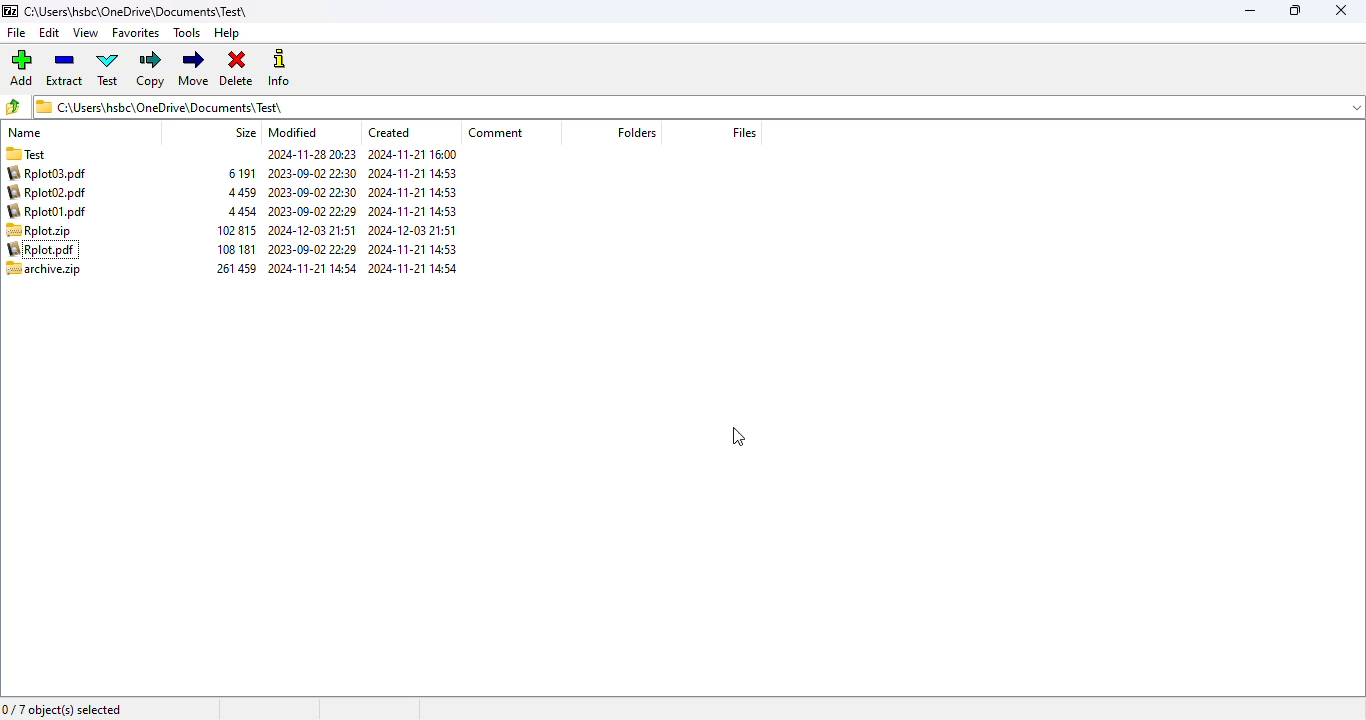 The image size is (1366, 720). Describe the element at coordinates (109, 69) in the screenshot. I see `test` at that location.